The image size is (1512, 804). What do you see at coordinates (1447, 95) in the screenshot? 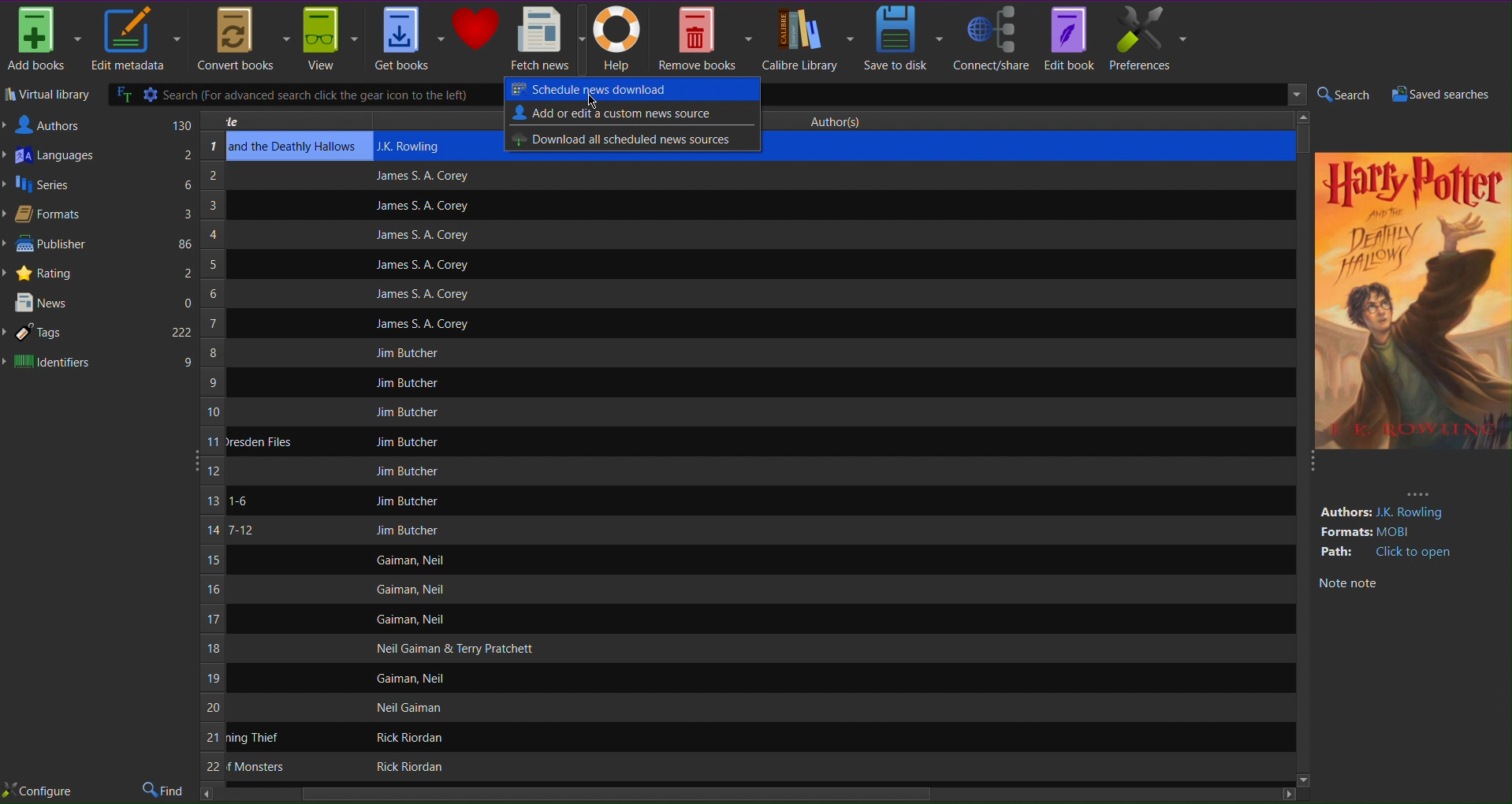
I see `Saved Searches` at bounding box center [1447, 95].